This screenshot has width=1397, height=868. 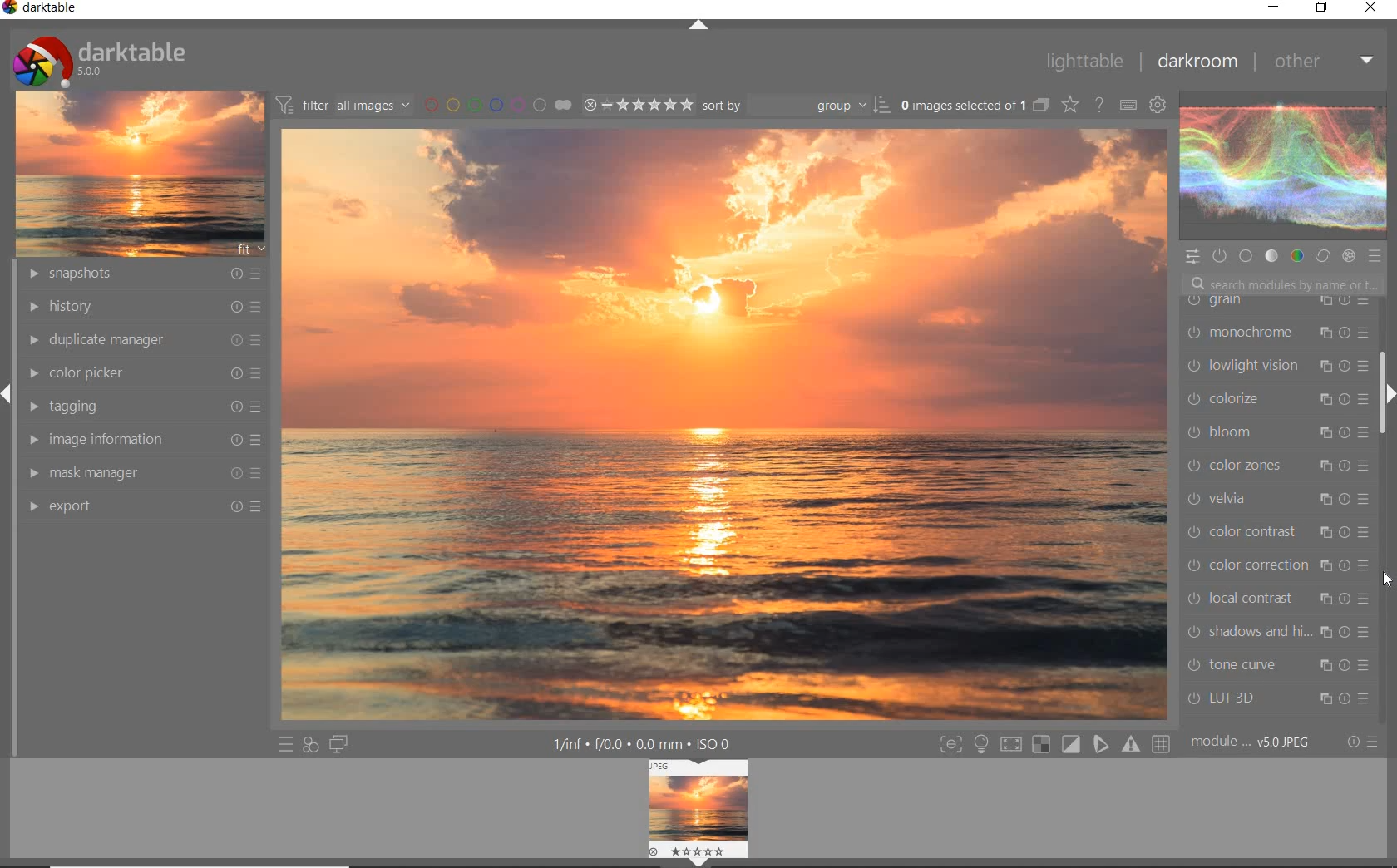 What do you see at coordinates (725, 423) in the screenshot?
I see `SELECTED IMAGE` at bounding box center [725, 423].